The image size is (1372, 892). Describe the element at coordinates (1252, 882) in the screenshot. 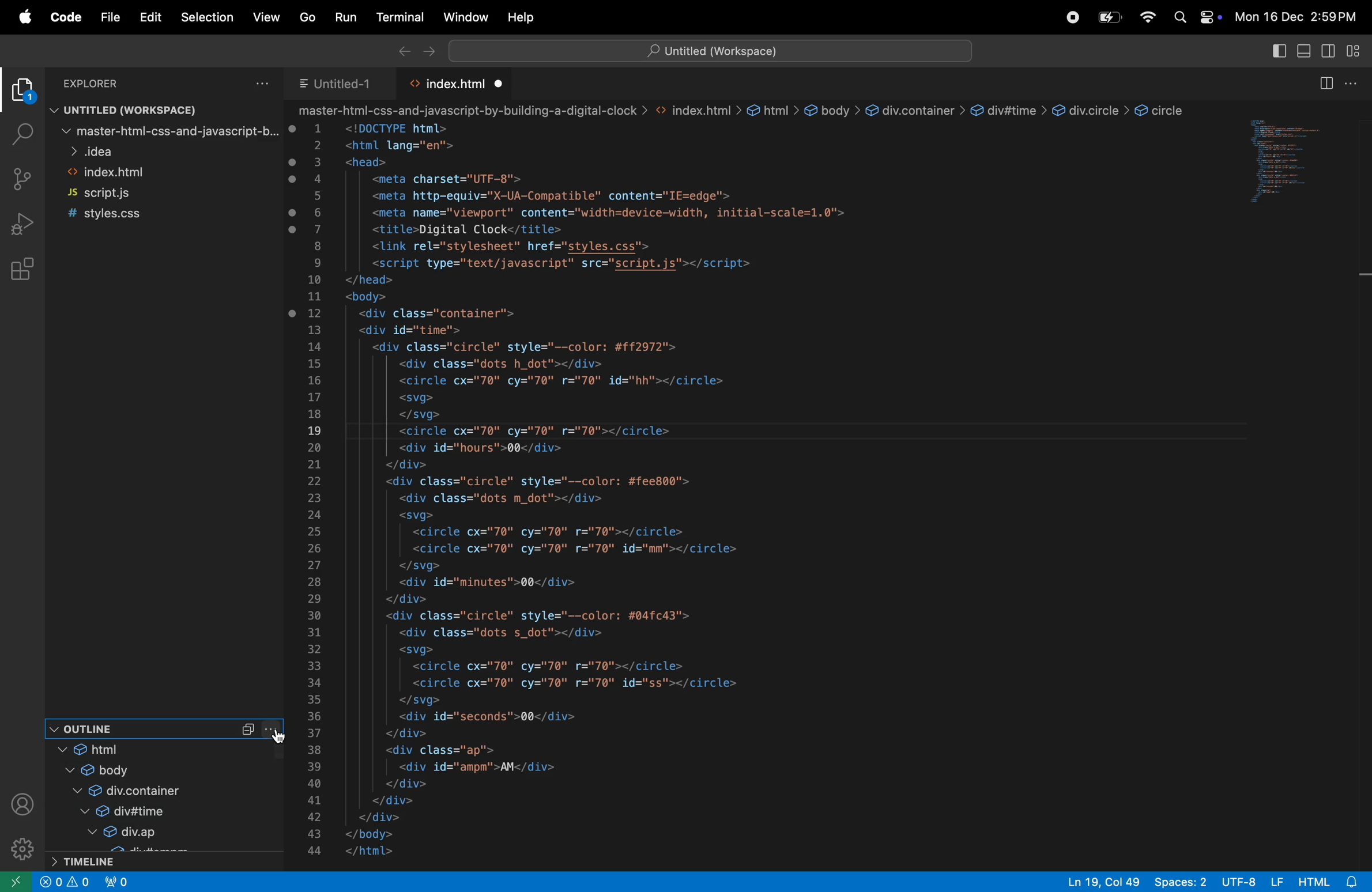

I see `urf 8` at that location.